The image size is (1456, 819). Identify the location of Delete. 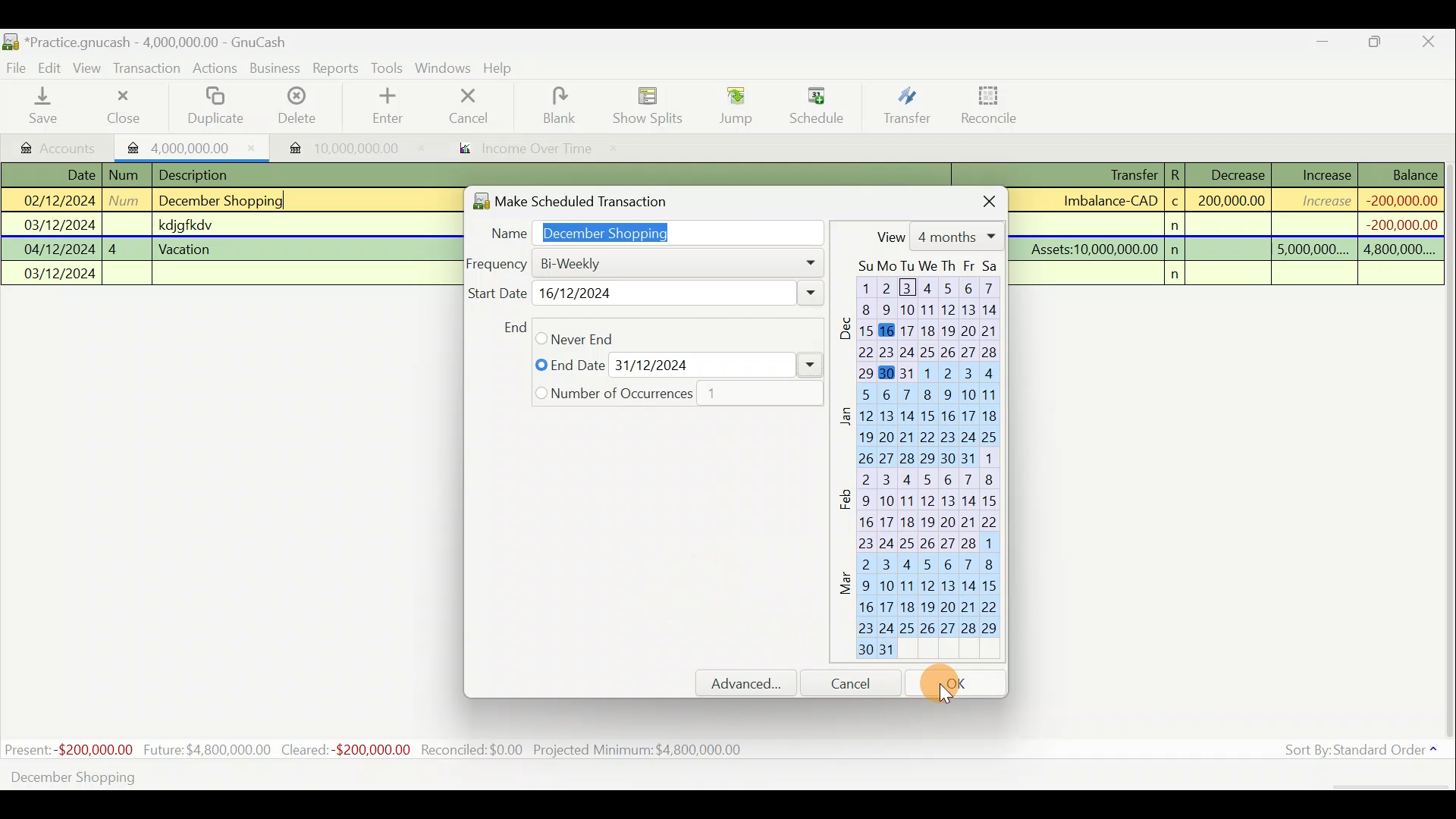
(295, 111).